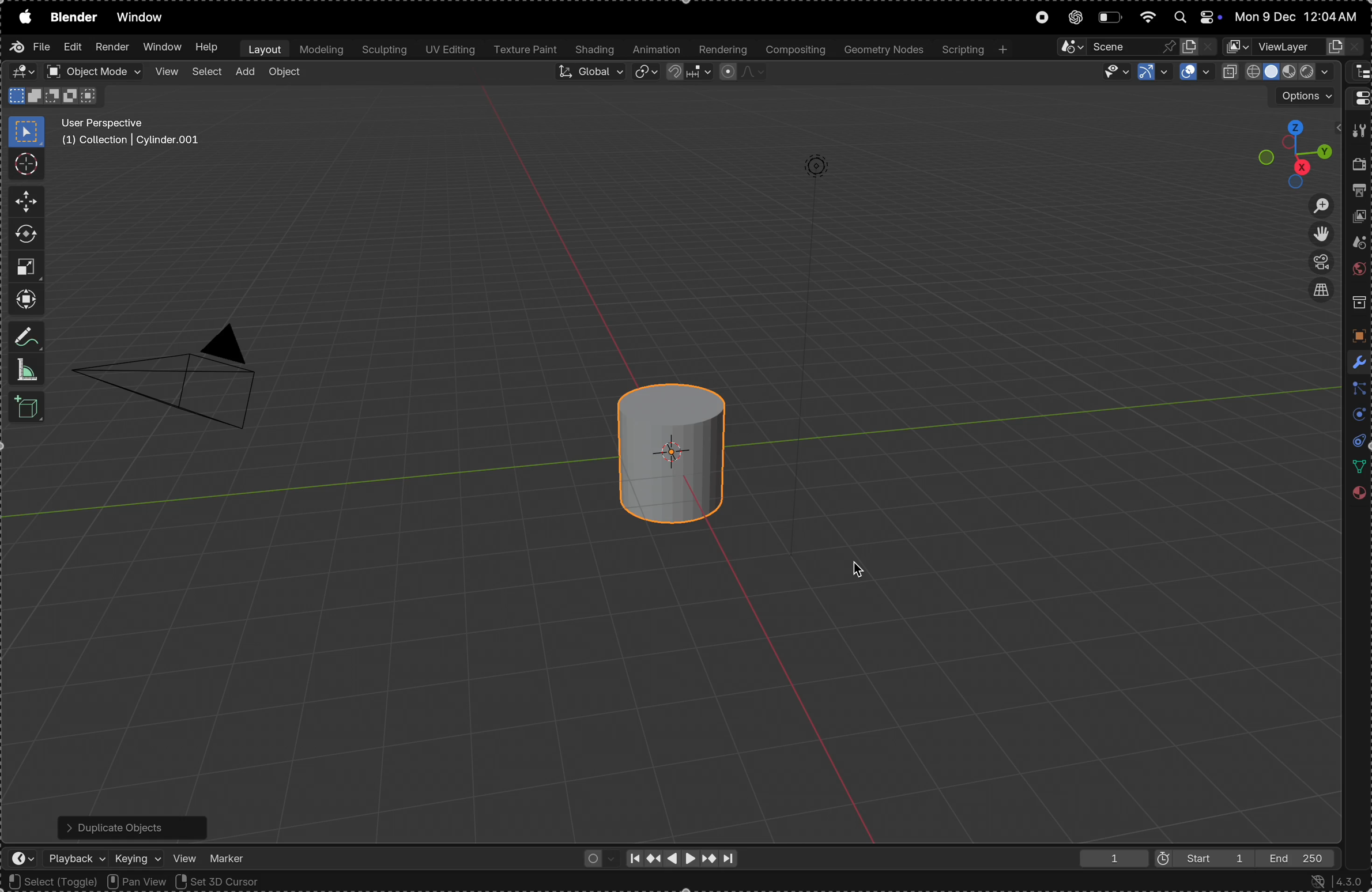 The image size is (1372, 892). What do you see at coordinates (28, 338) in the screenshot?
I see `annotate measure` at bounding box center [28, 338].